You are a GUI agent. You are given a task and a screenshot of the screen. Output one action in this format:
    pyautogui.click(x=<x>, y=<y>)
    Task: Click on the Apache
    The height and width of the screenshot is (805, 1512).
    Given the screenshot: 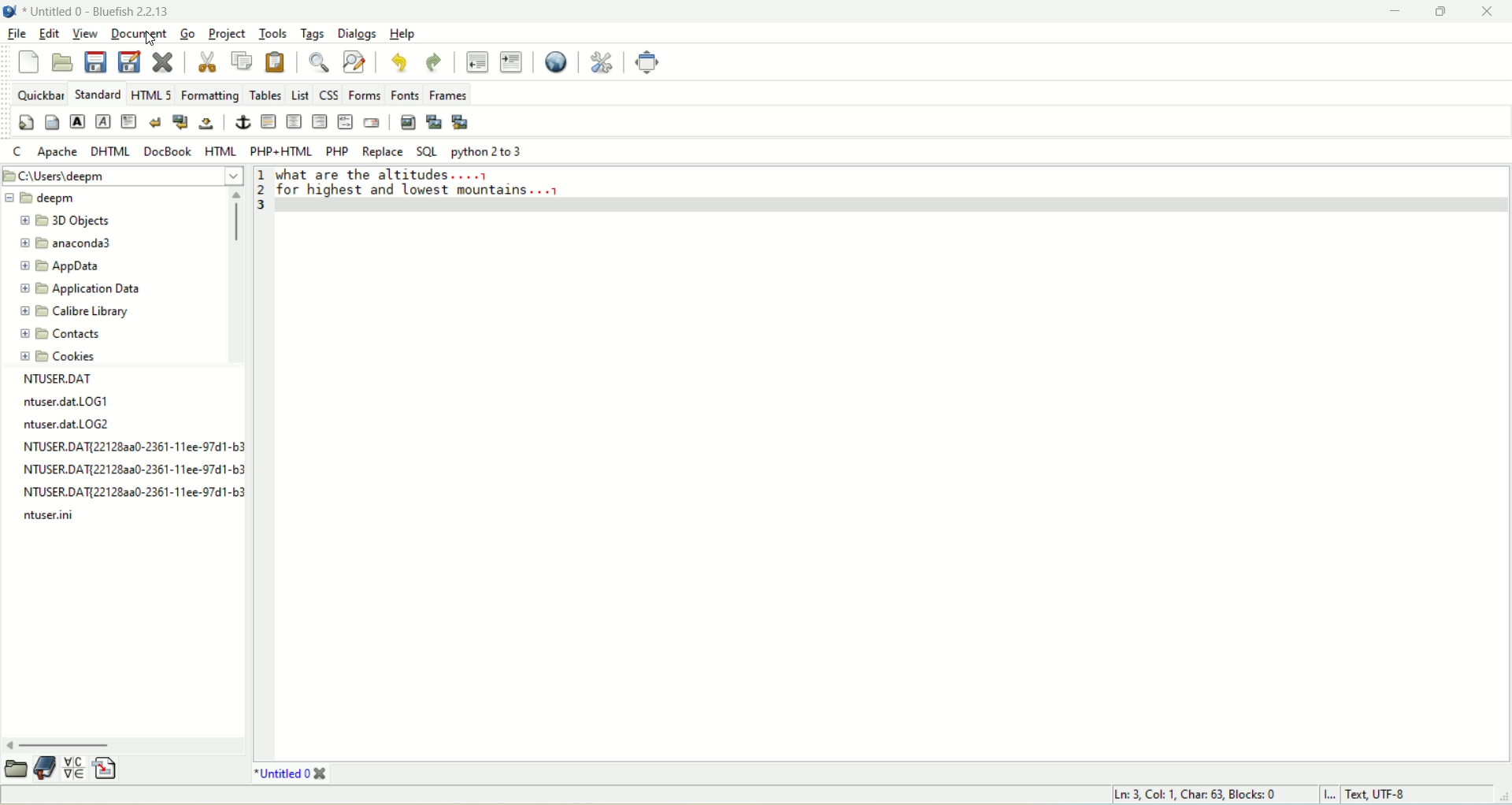 What is the action you would take?
    pyautogui.click(x=57, y=152)
    